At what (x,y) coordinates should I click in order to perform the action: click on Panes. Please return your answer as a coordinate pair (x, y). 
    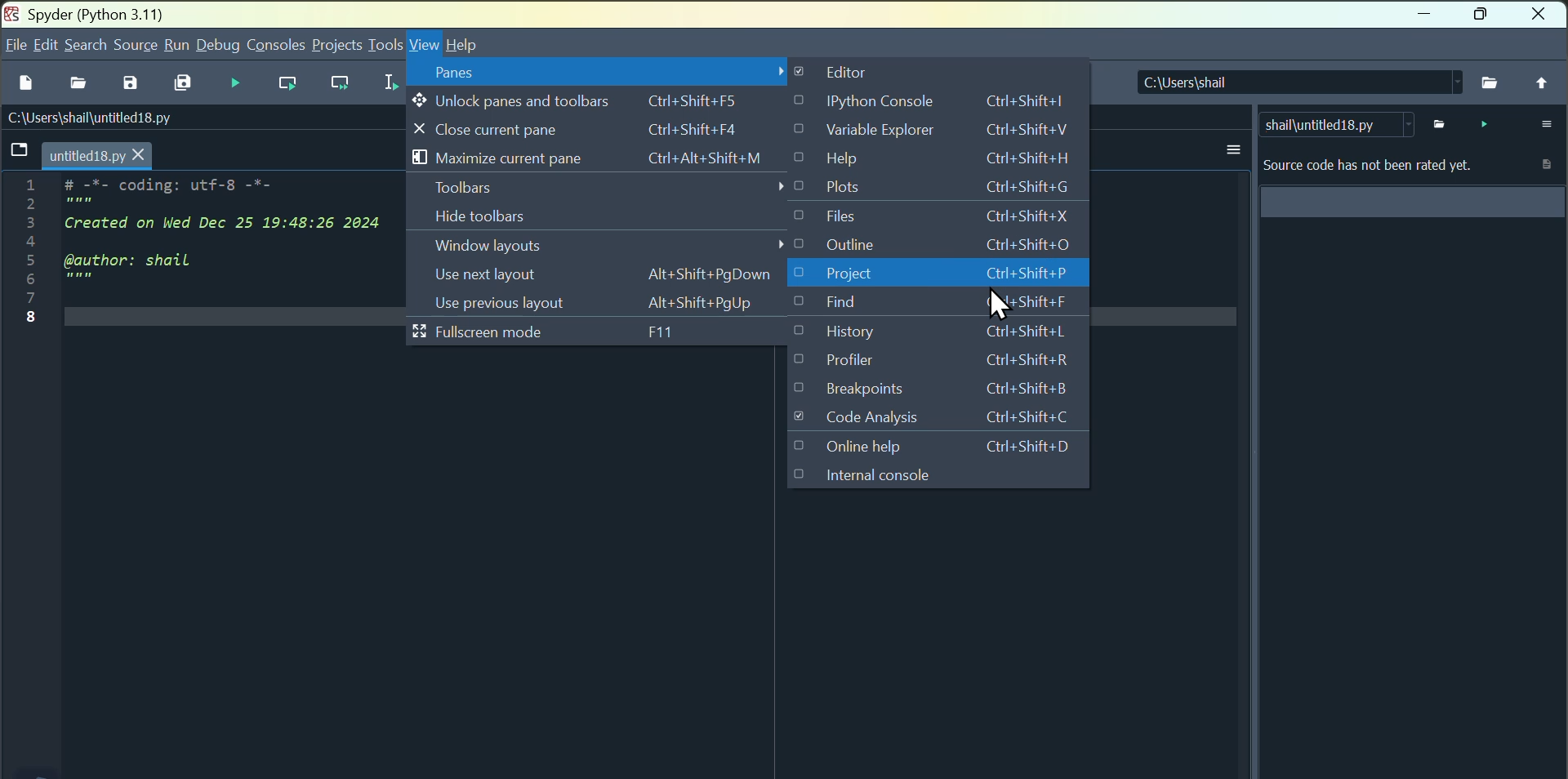
    Looking at the image, I should click on (605, 69).